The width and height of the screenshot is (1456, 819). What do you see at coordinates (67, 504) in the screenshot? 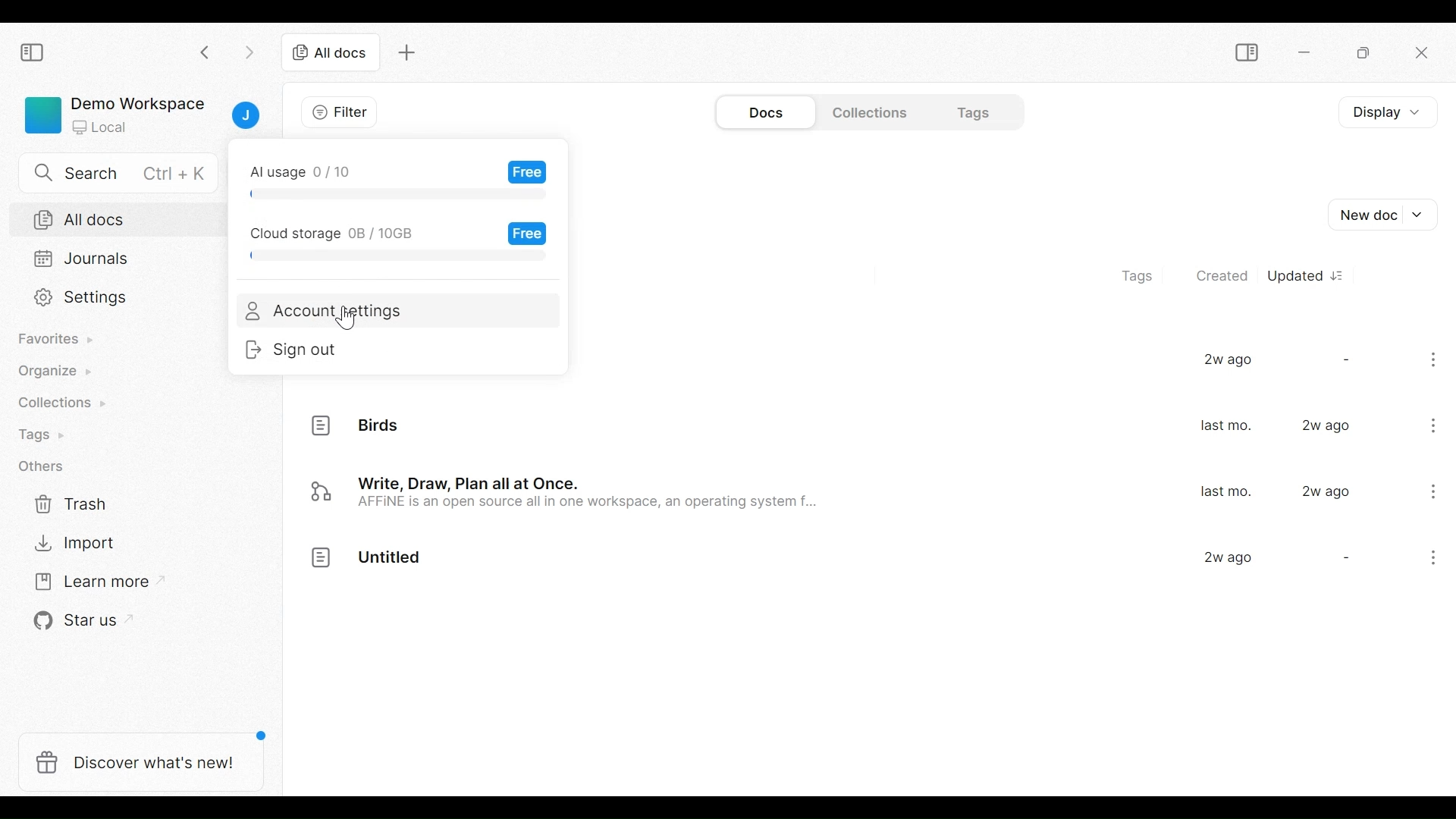
I see `Trash` at bounding box center [67, 504].